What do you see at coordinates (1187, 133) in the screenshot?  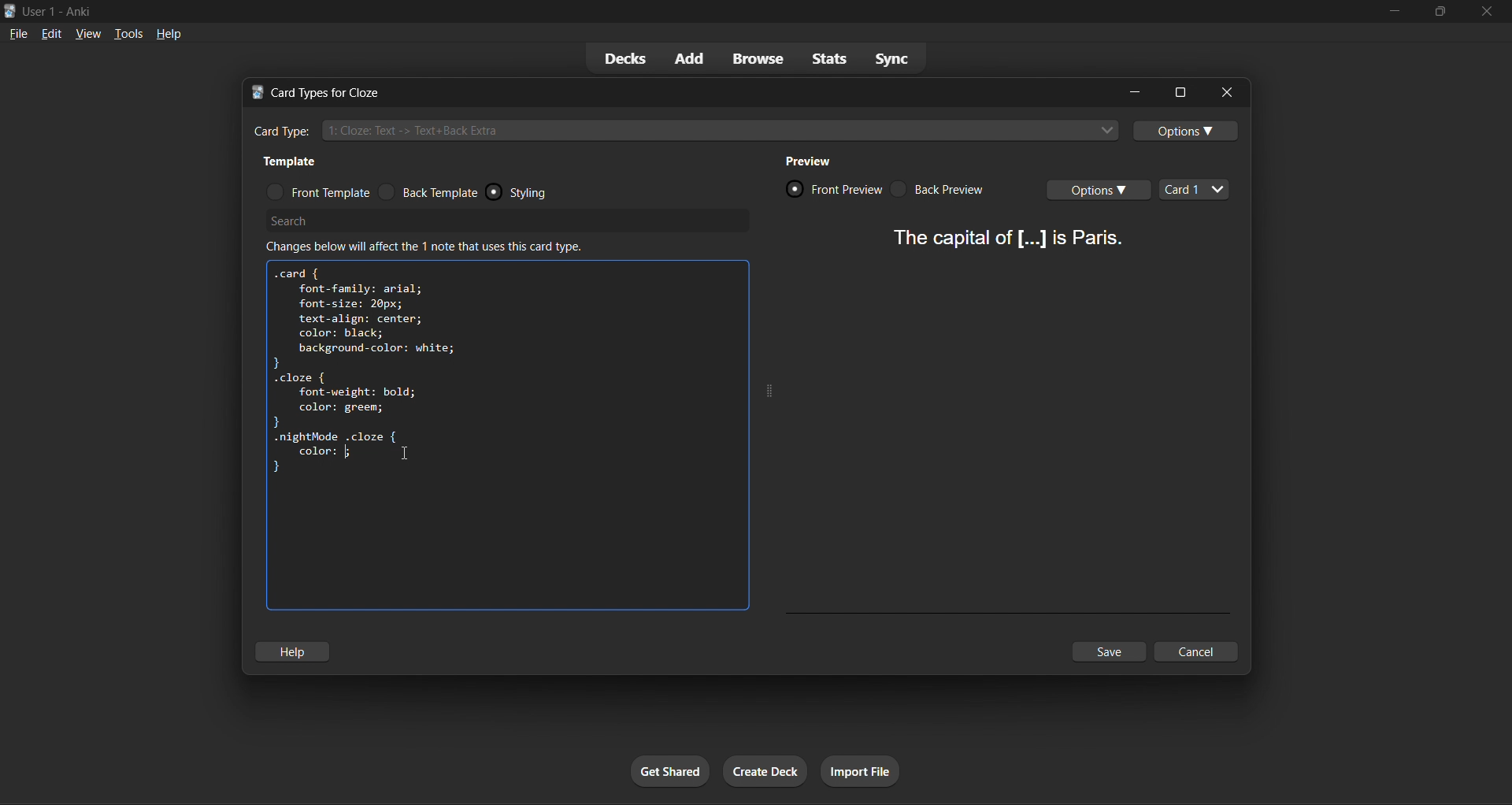 I see `options toggle` at bounding box center [1187, 133].